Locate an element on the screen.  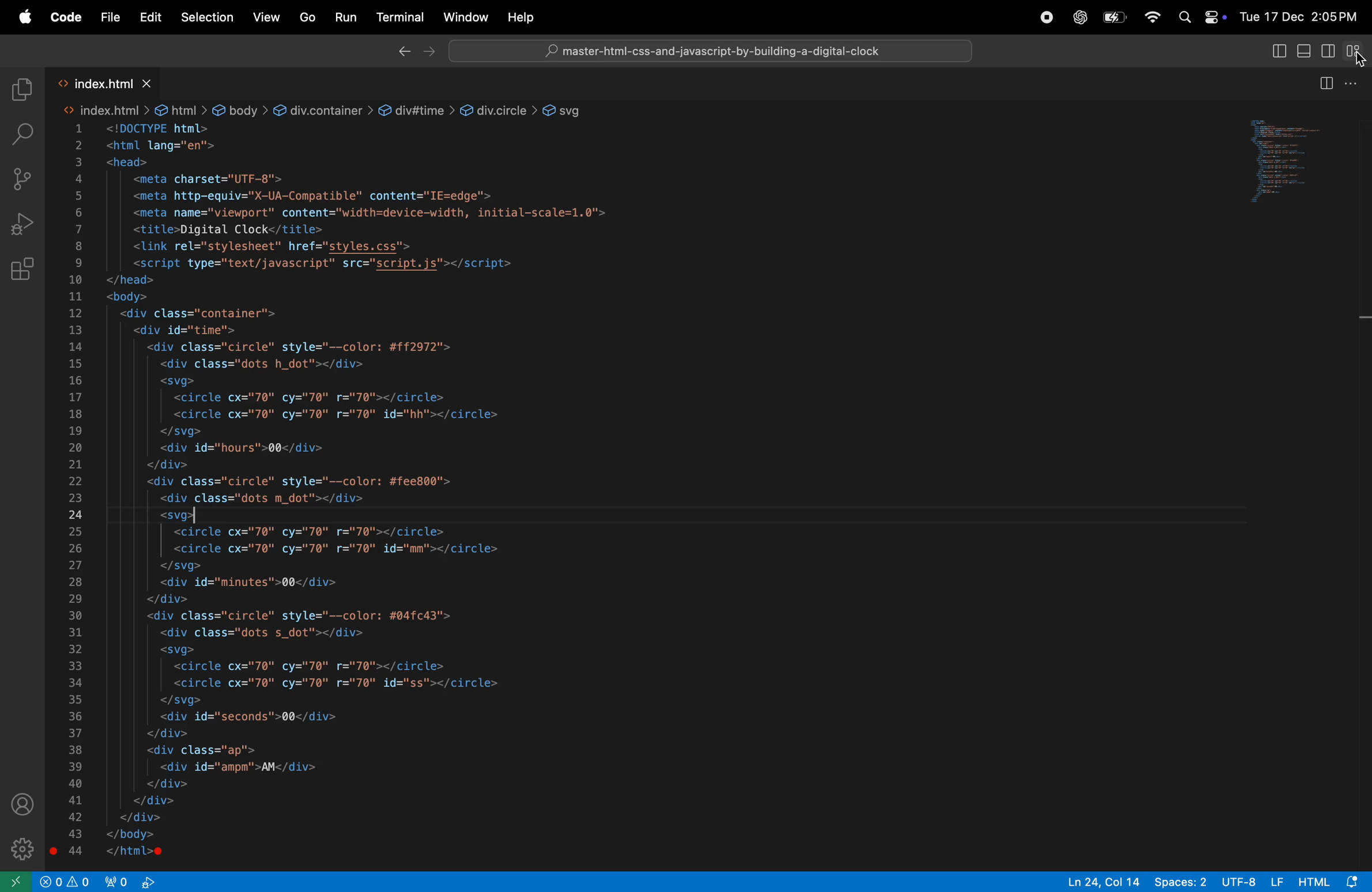
index.html  is located at coordinates (117, 82).